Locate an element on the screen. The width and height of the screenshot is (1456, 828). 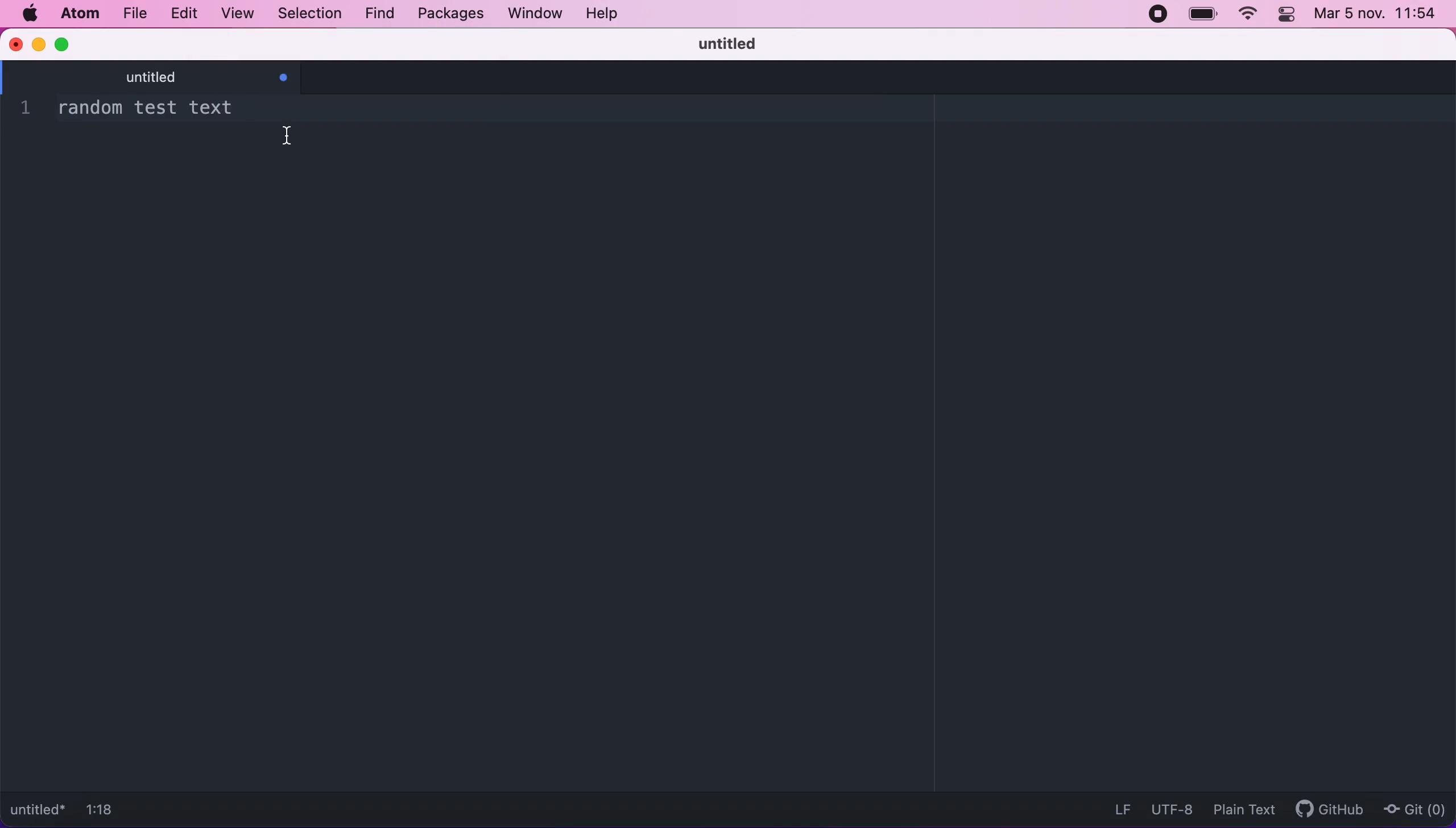
maximize is located at coordinates (65, 43).